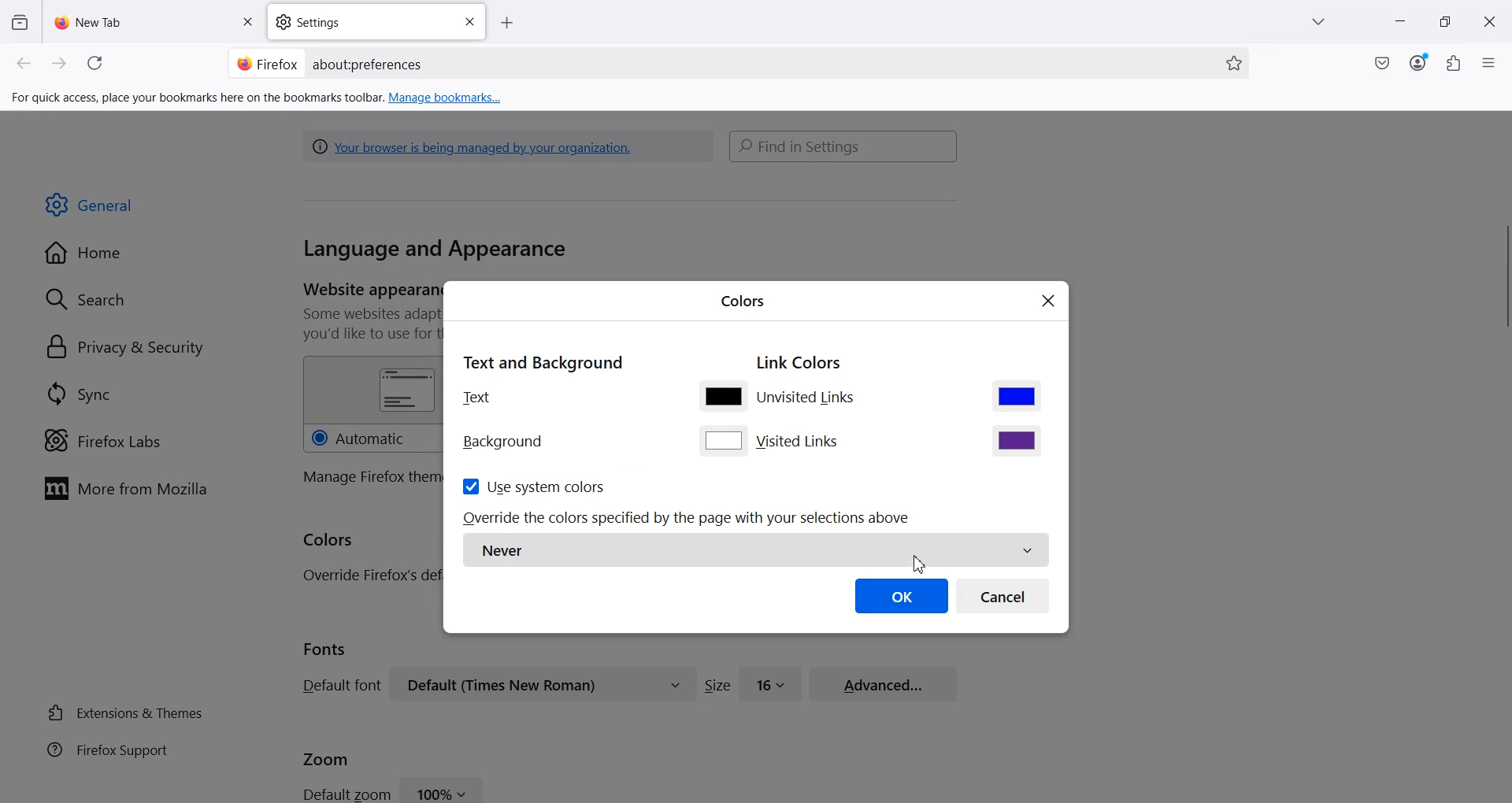 The width and height of the screenshot is (1512, 803). I want to click on Visited Links, so click(800, 442).